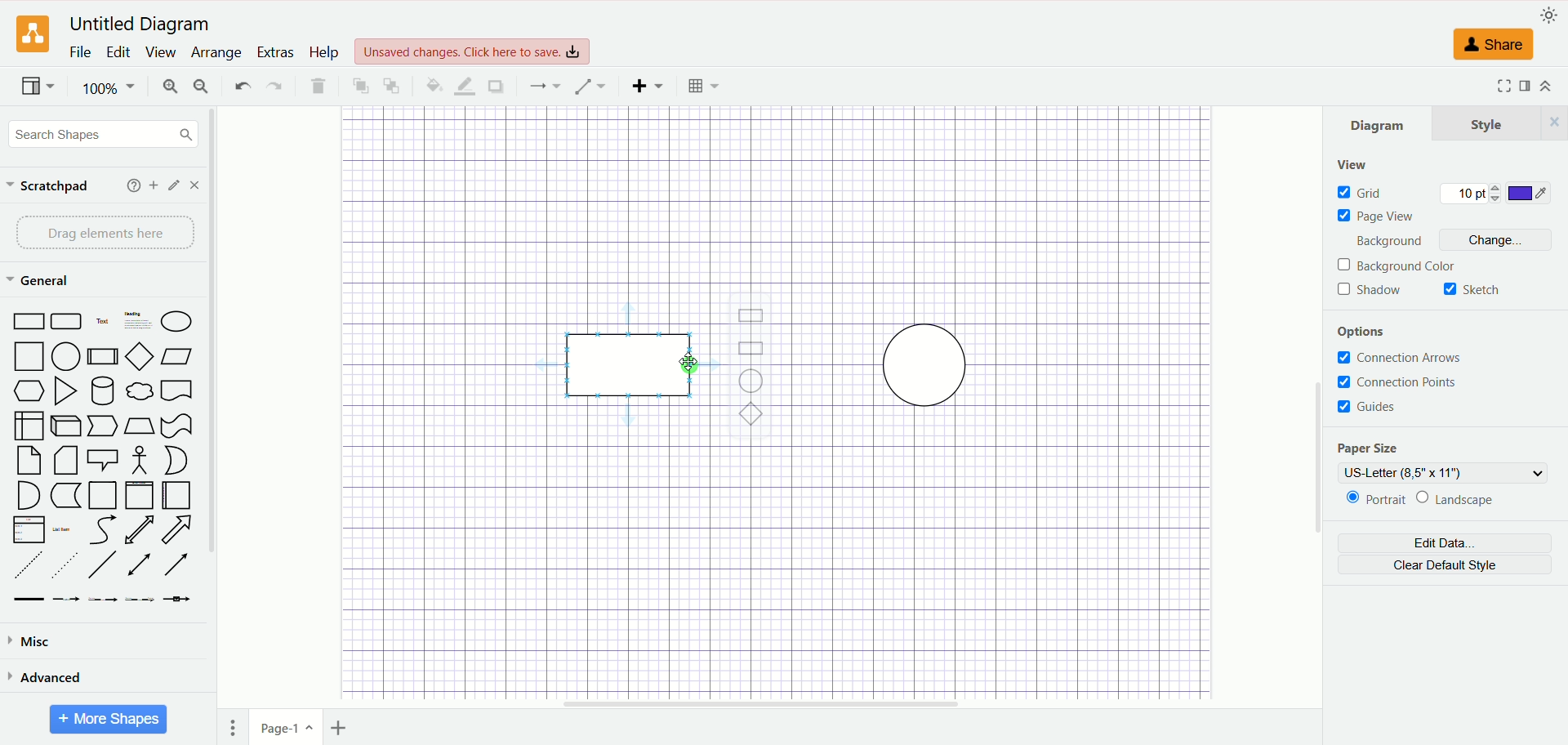  Describe the element at coordinates (142, 565) in the screenshot. I see `Line with Two Arrows` at that location.